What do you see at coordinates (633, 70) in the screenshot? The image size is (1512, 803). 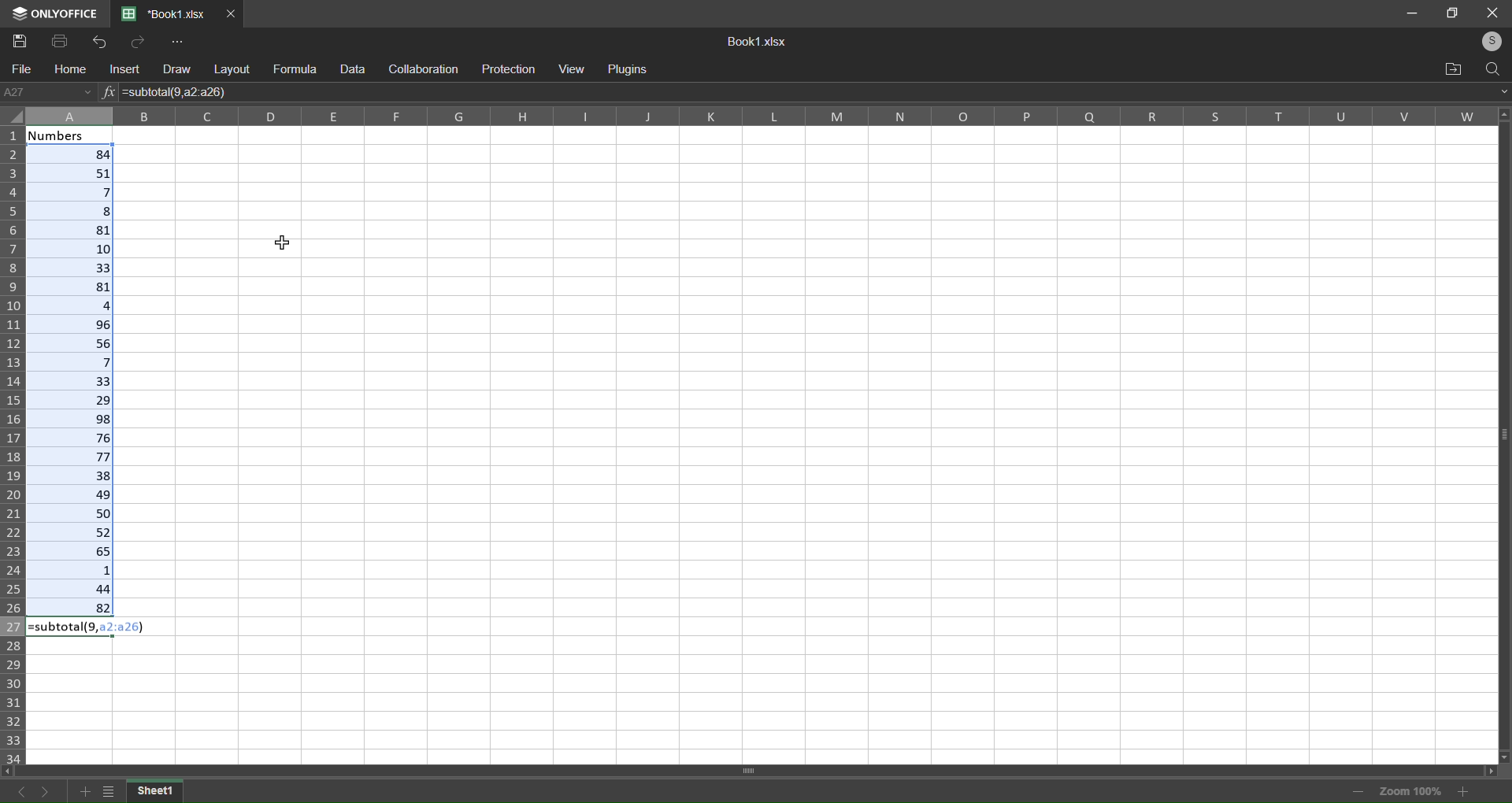 I see `Plugins` at bounding box center [633, 70].